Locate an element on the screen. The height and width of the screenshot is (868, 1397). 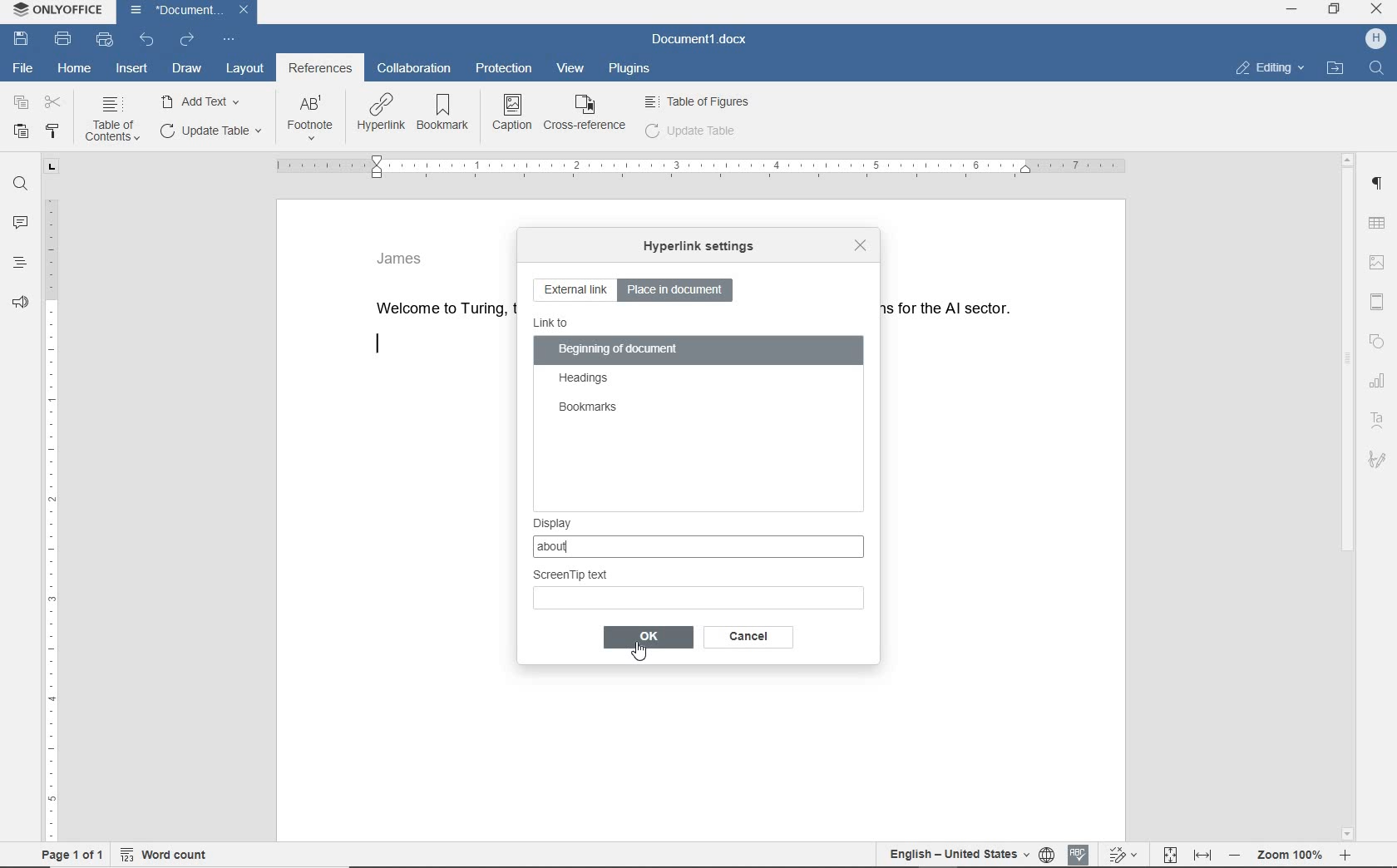
quick print is located at coordinates (103, 39).